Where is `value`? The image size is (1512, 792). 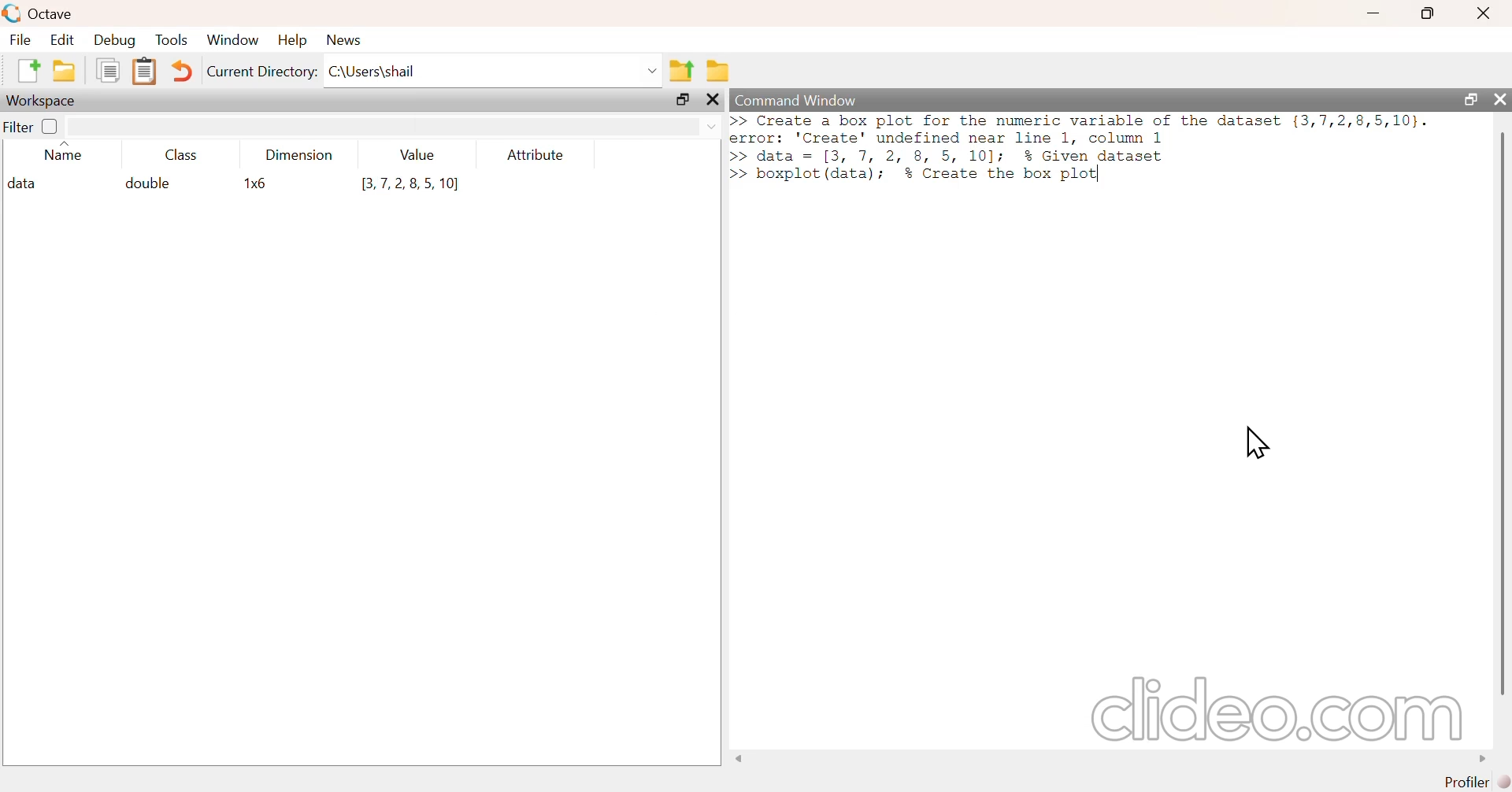 value is located at coordinates (415, 154).